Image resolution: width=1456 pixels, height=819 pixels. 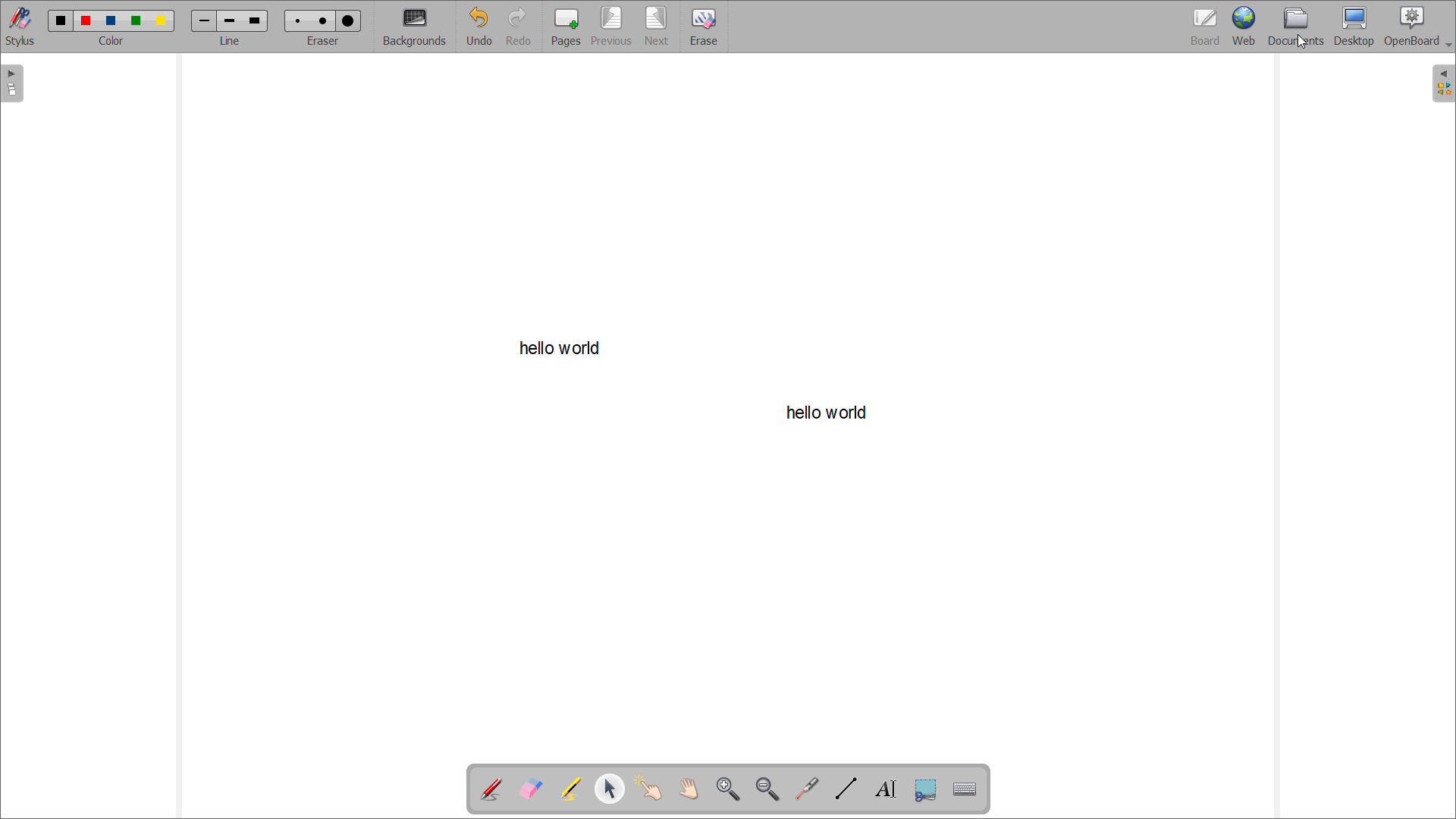 I want to click on undo, so click(x=479, y=26).